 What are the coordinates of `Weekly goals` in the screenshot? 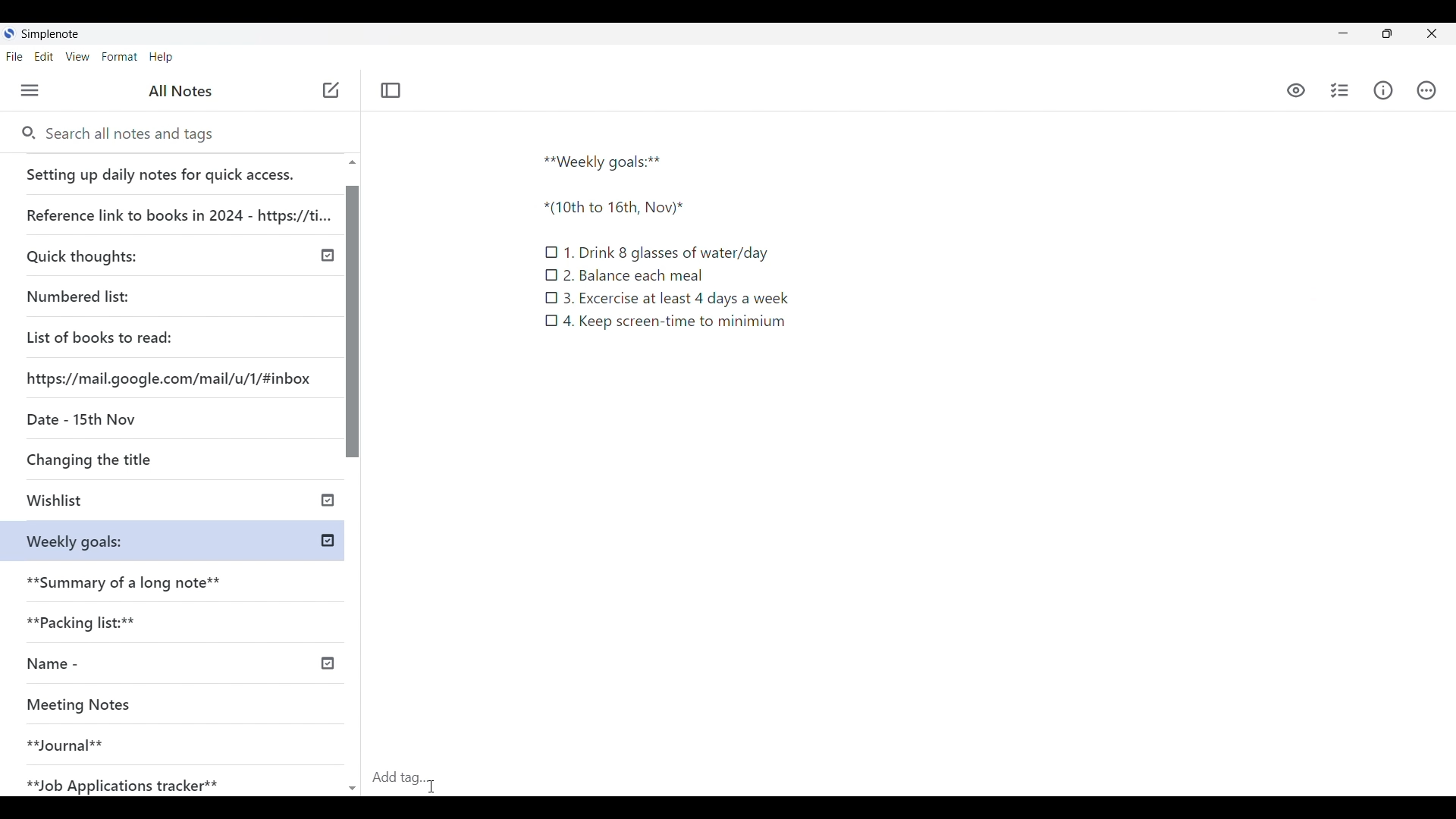 It's located at (74, 540).